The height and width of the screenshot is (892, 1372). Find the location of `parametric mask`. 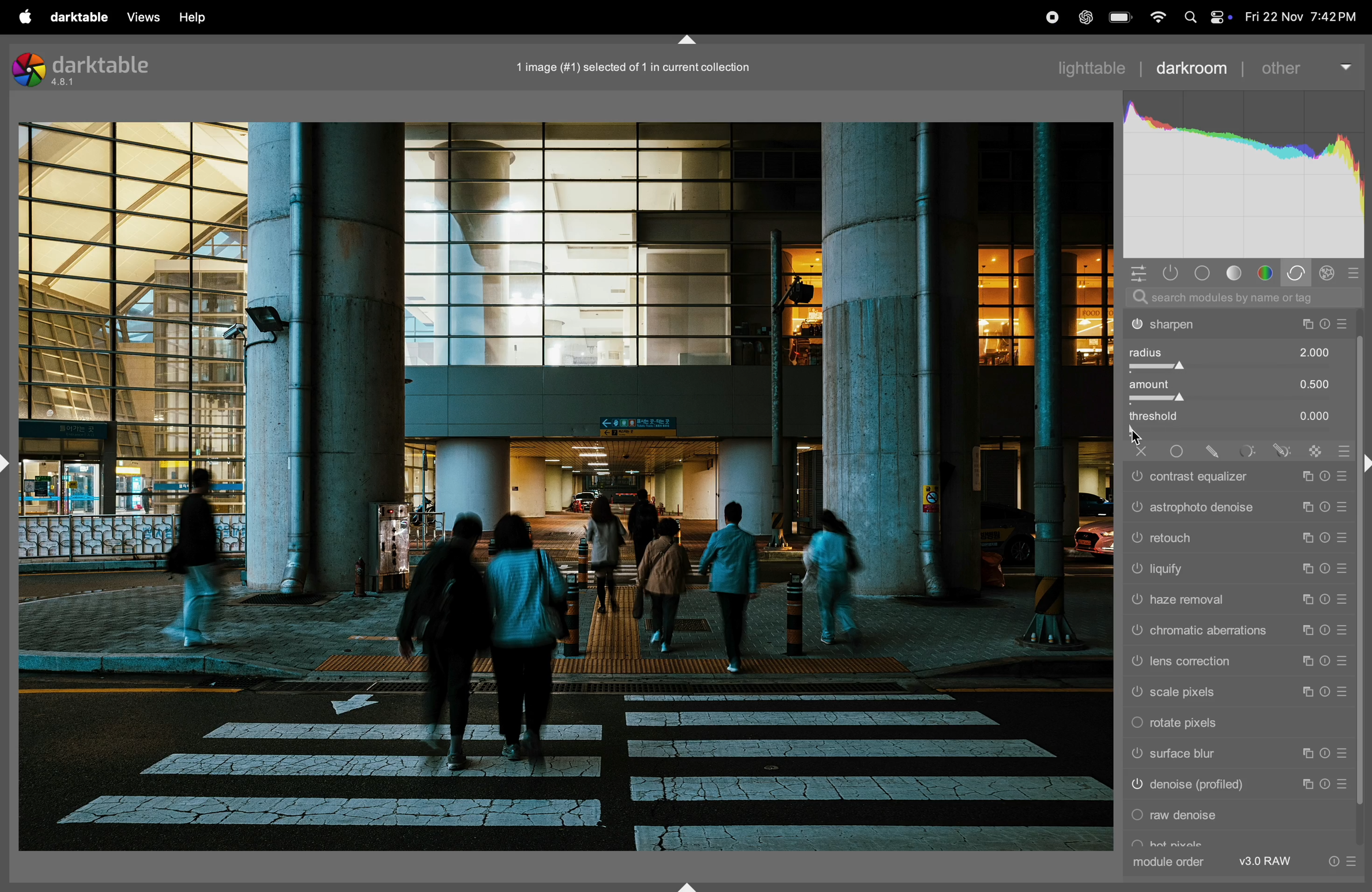

parametric mask is located at coordinates (1242, 449).